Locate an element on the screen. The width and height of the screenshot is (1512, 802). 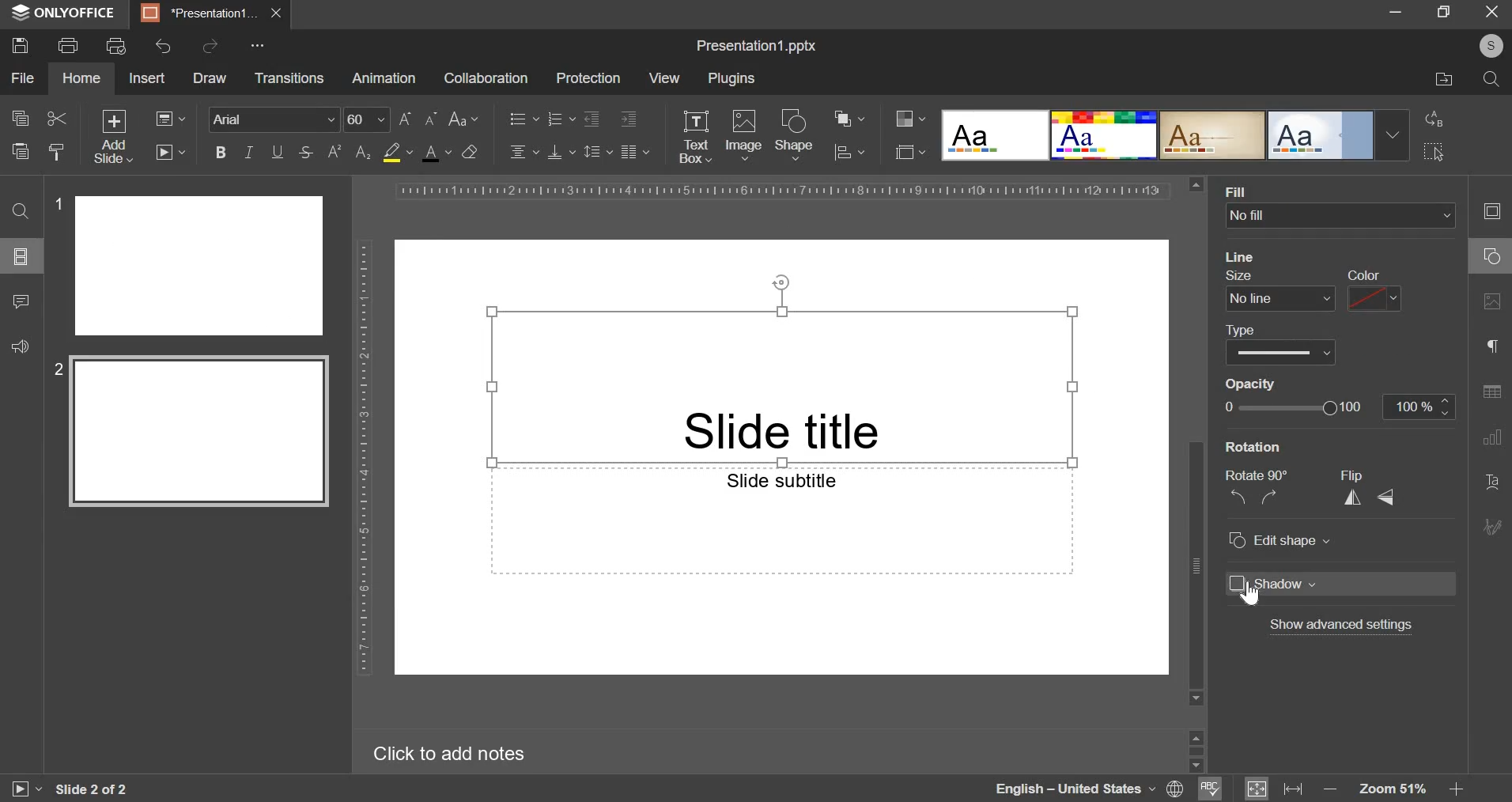
collaboration is located at coordinates (485, 78).